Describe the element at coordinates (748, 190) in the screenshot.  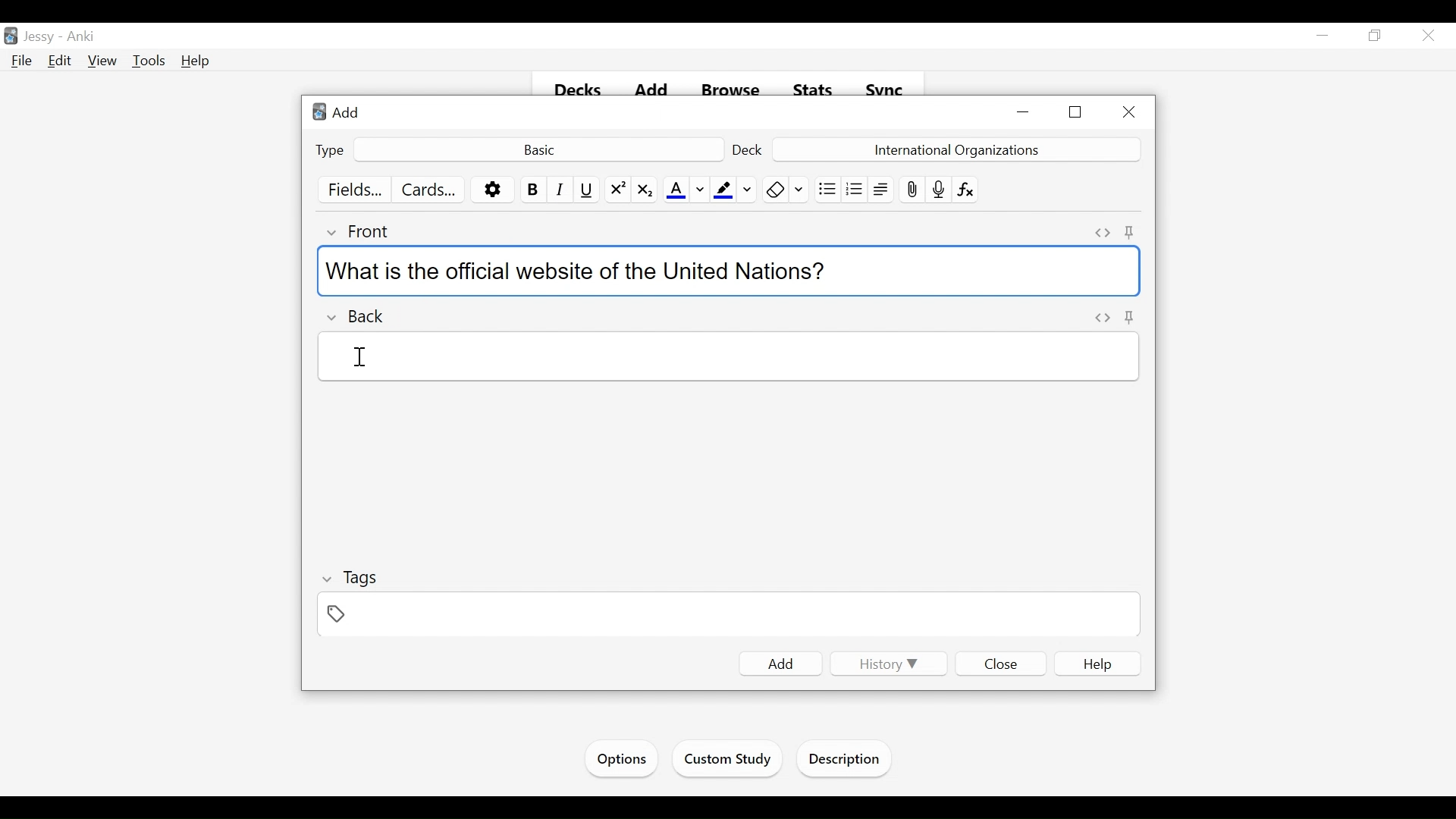
I see `Change Color` at that location.